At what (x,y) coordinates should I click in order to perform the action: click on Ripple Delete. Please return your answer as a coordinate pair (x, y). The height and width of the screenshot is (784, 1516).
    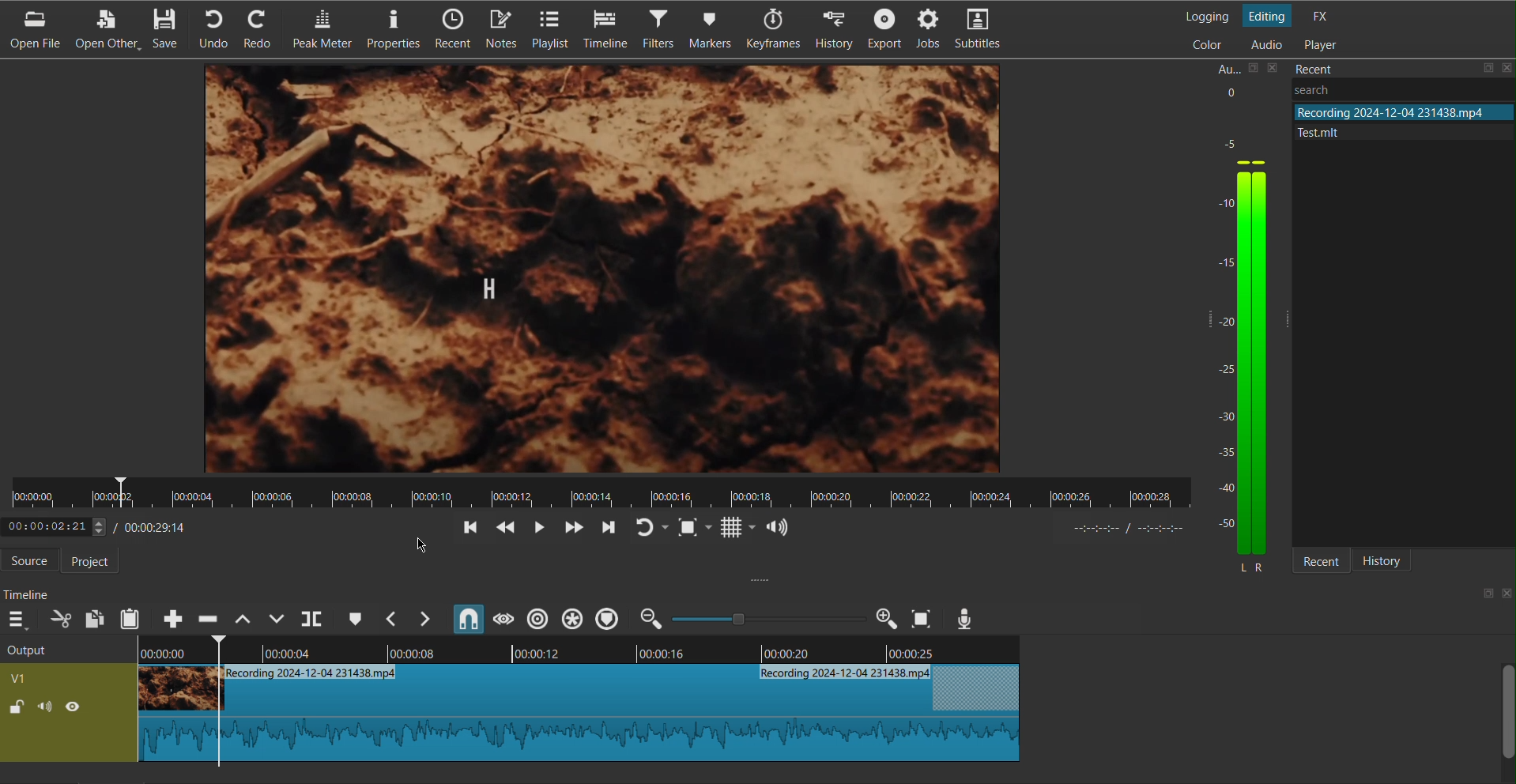
    Looking at the image, I should click on (208, 617).